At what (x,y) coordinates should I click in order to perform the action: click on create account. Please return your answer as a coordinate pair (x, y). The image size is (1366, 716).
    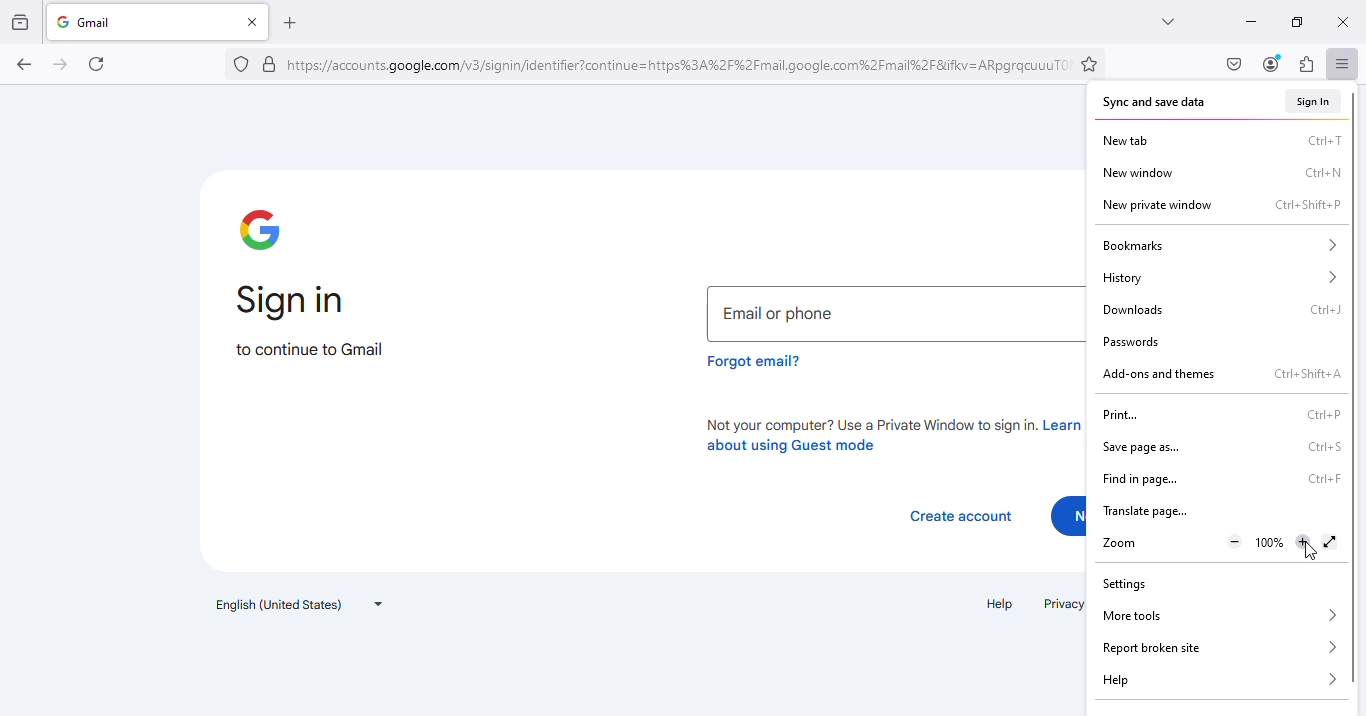
    Looking at the image, I should click on (961, 517).